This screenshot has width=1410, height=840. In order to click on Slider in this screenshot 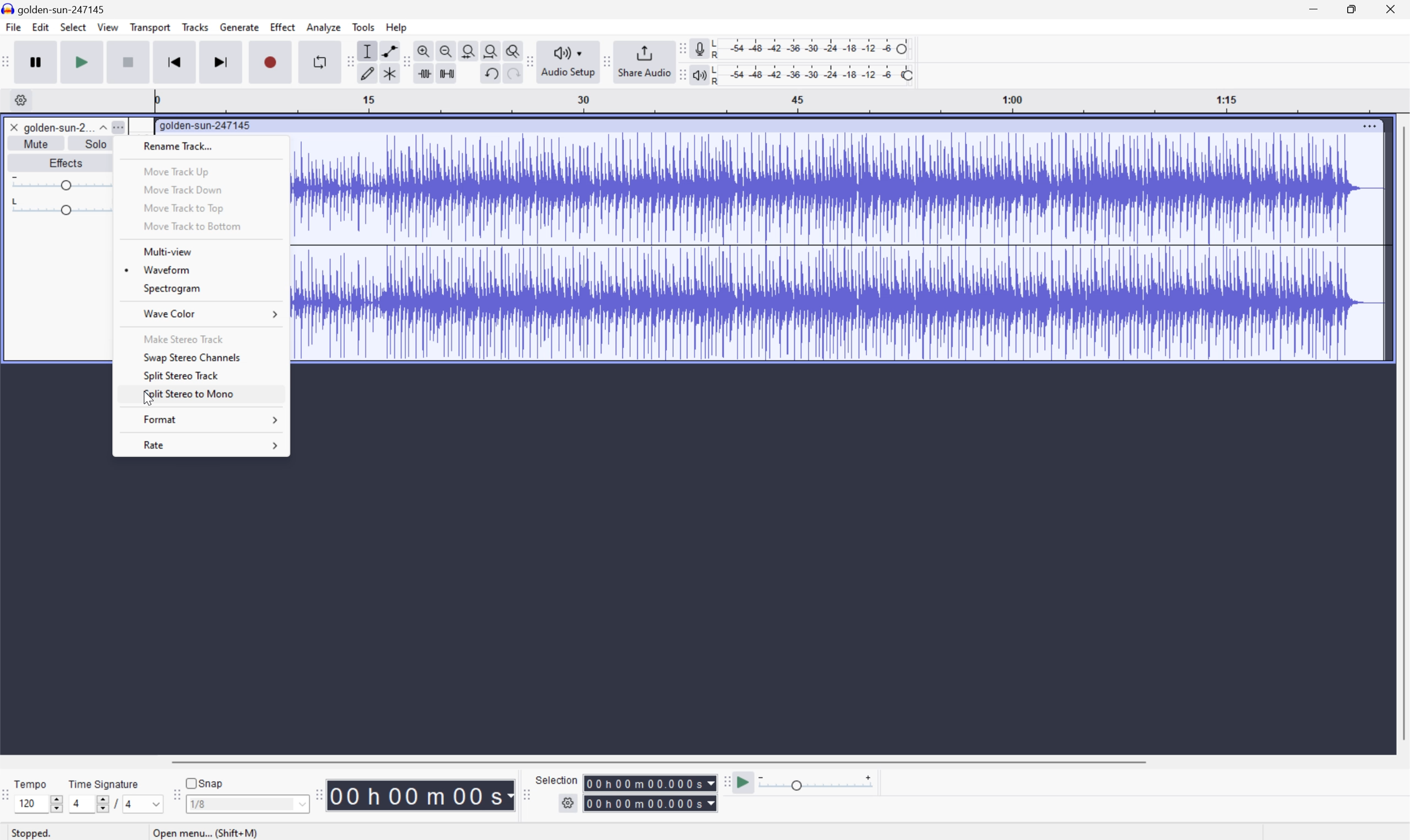, I will do `click(54, 801)`.